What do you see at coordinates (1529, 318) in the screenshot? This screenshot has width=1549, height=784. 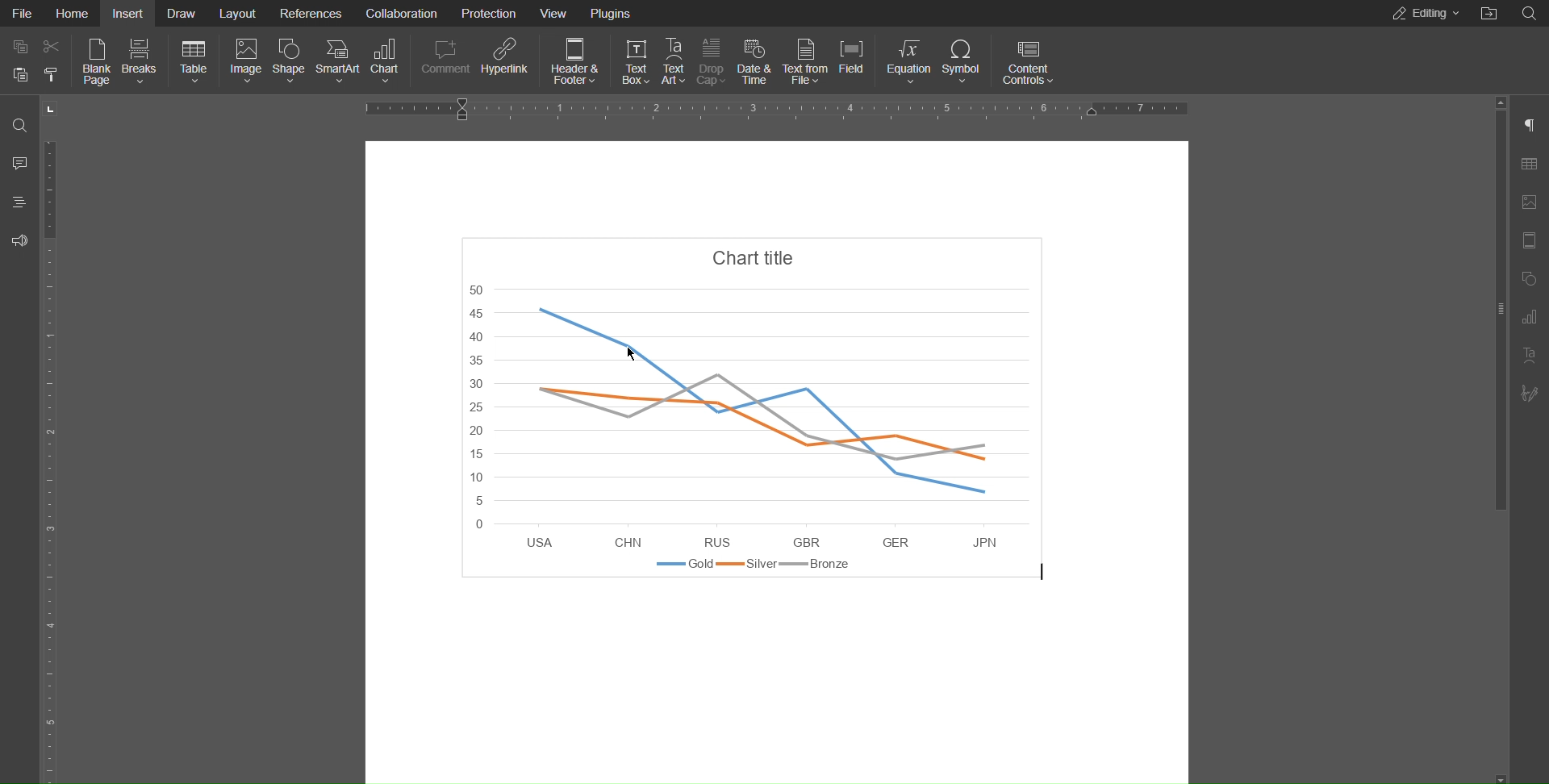 I see `Graph Settings` at bounding box center [1529, 318].